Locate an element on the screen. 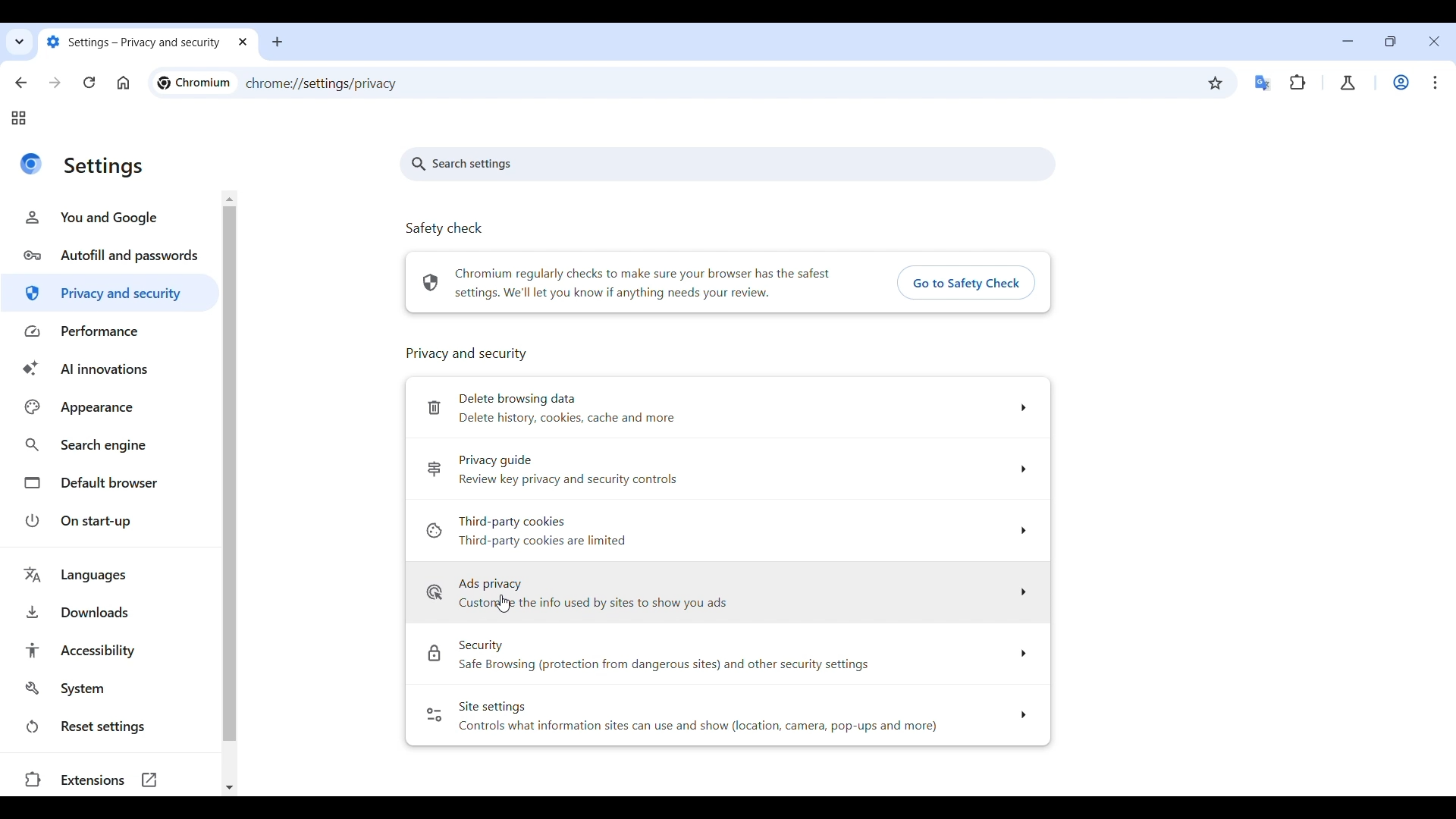 This screenshot has width=1456, height=819. Privacy and security highlighted as current selection is located at coordinates (111, 293).